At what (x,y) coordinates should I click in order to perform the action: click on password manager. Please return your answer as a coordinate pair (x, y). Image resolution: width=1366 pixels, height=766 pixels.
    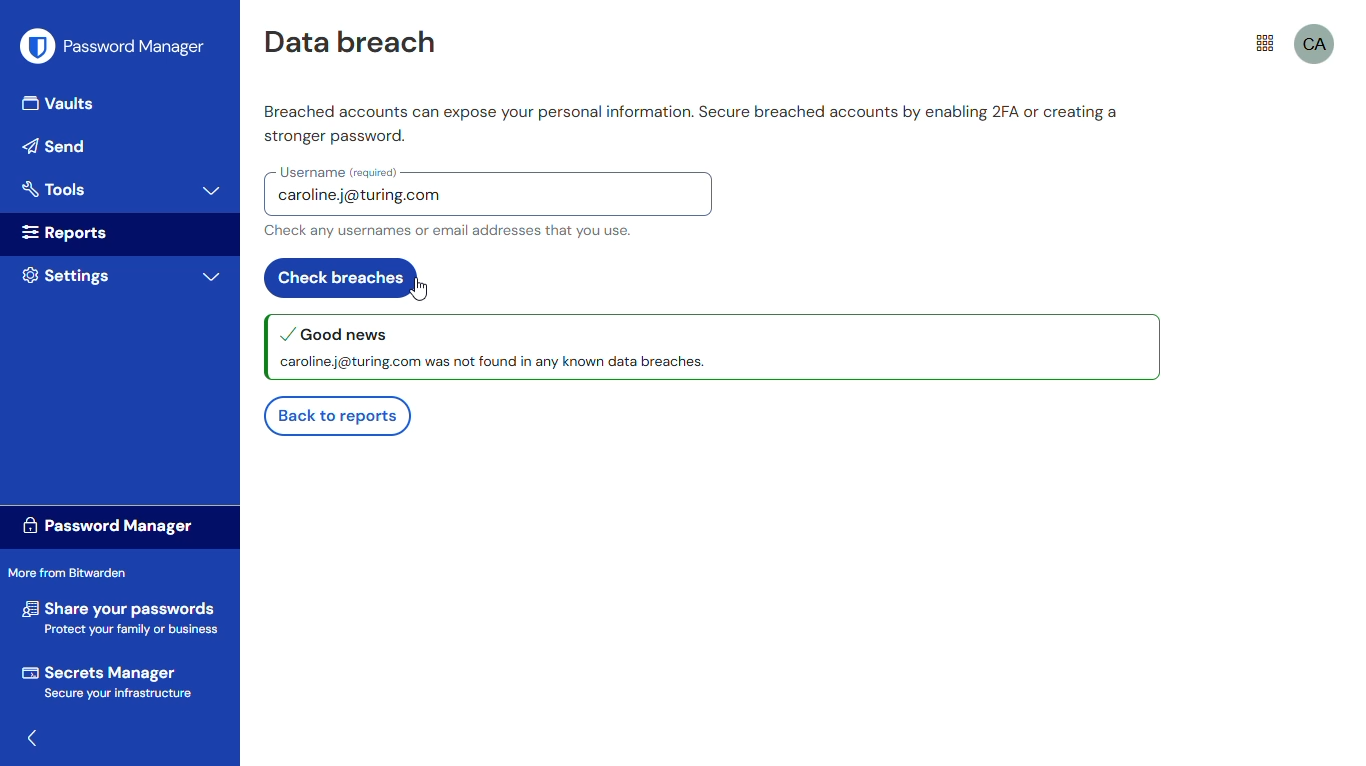
    Looking at the image, I should click on (105, 525).